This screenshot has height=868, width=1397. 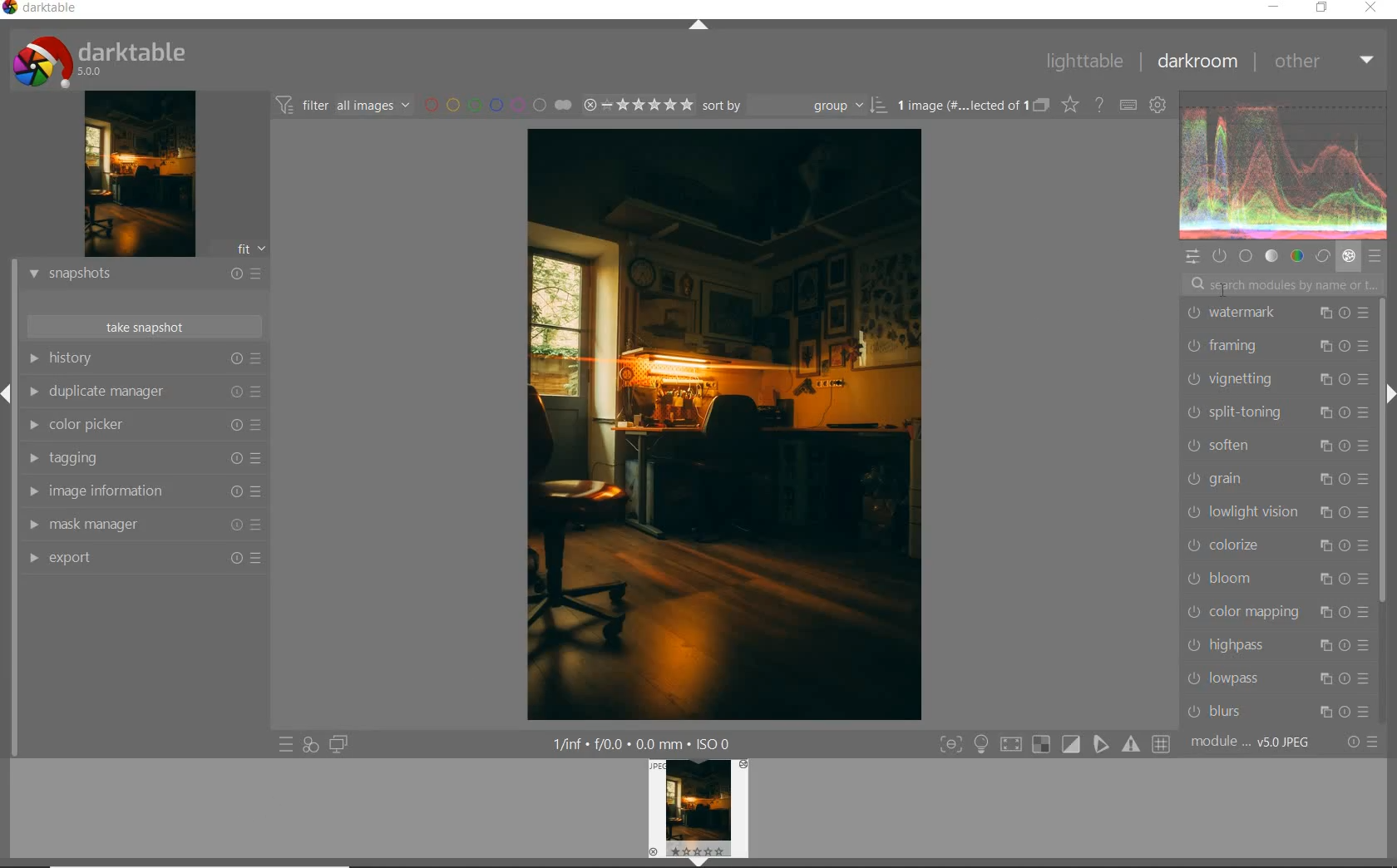 I want to click on vignetting, so click(x=1278, y=379).